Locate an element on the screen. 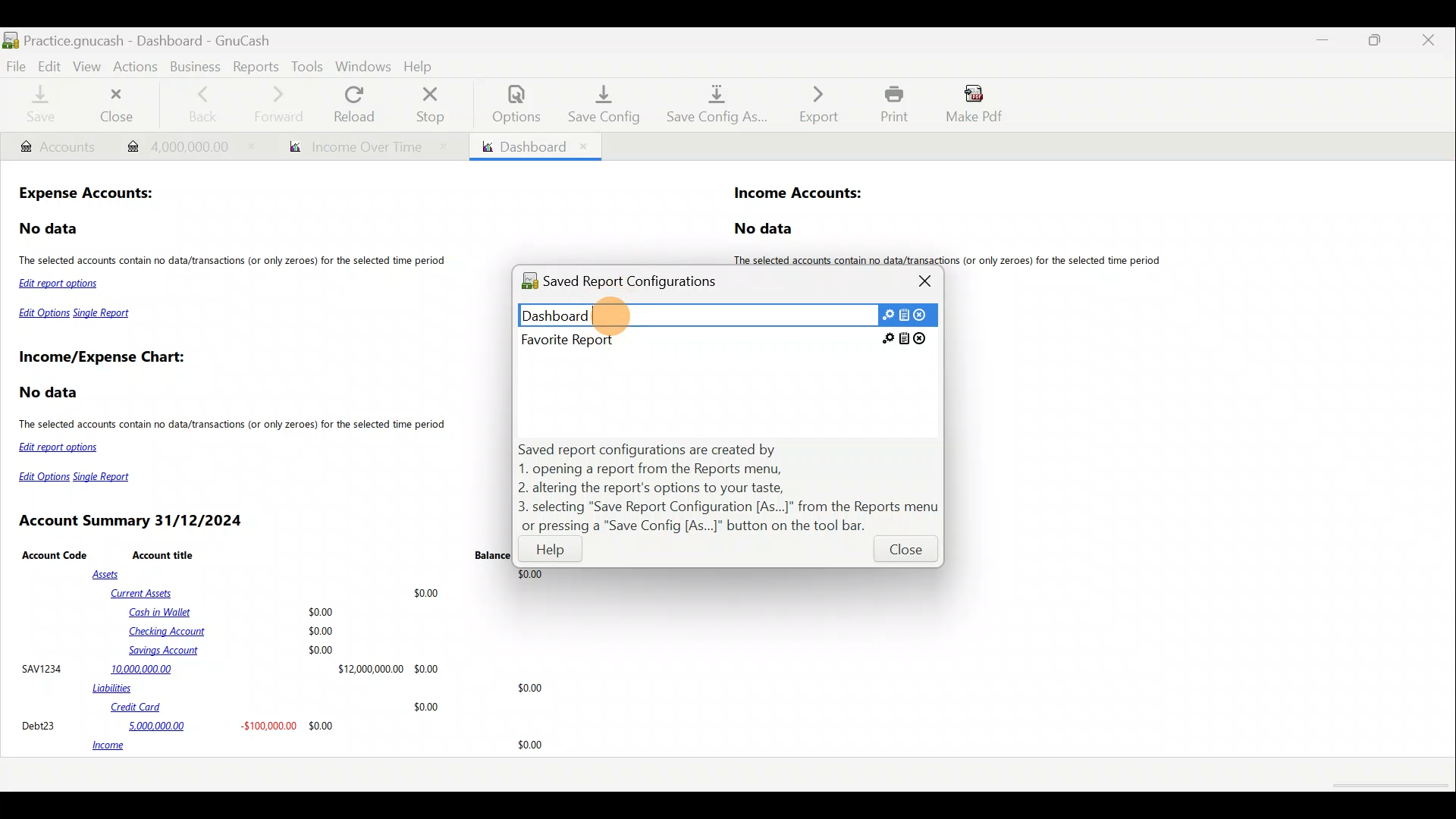 The image size is (1456, 819). scroll is located at coordinates (1388, 786).